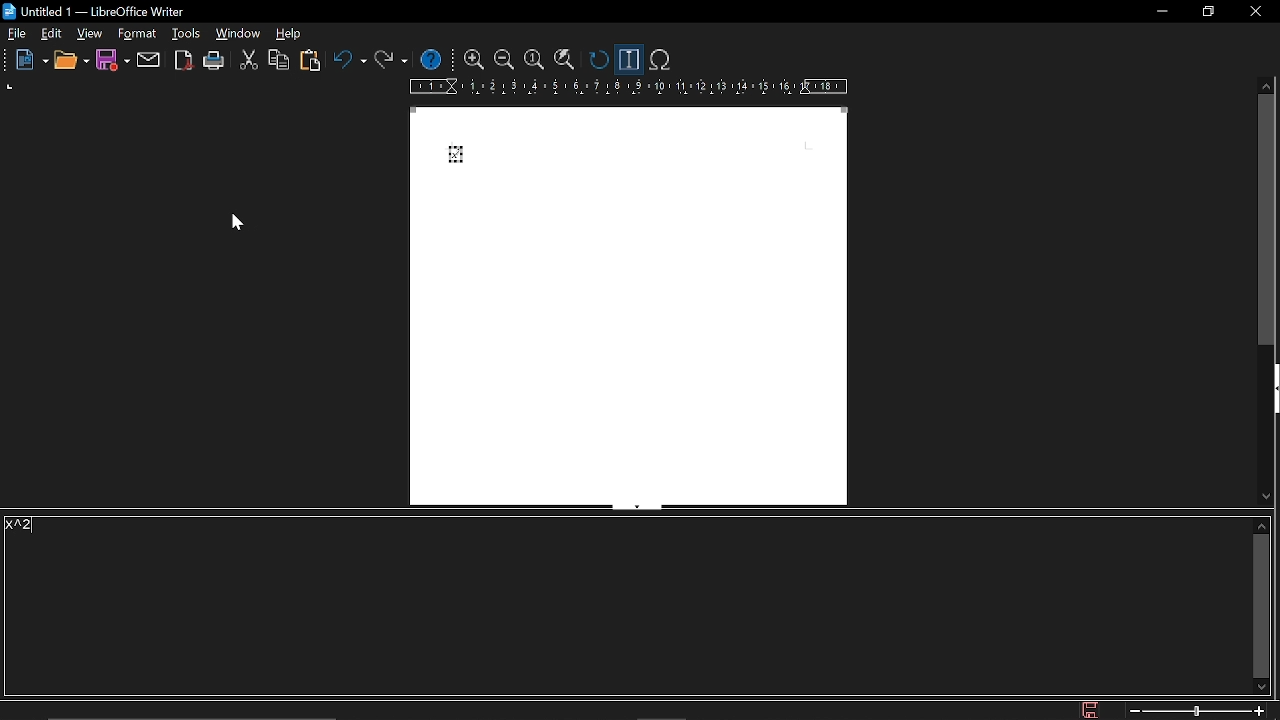 The image size is (1280, 720). What do you see at coordinates (1164, 12) in the screenshot?
I see `minimize` at bounding box center [1164, 12].